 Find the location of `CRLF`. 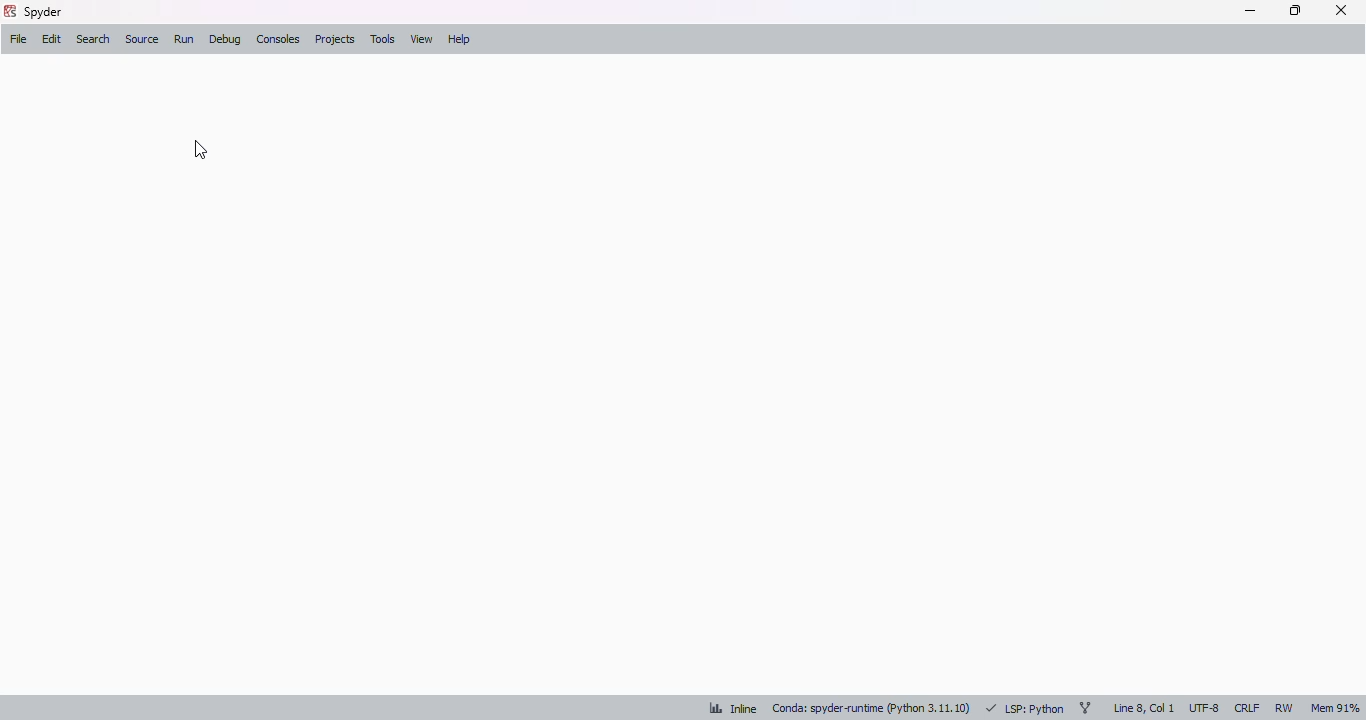

CRLF is located at coordinates (1247, 707).